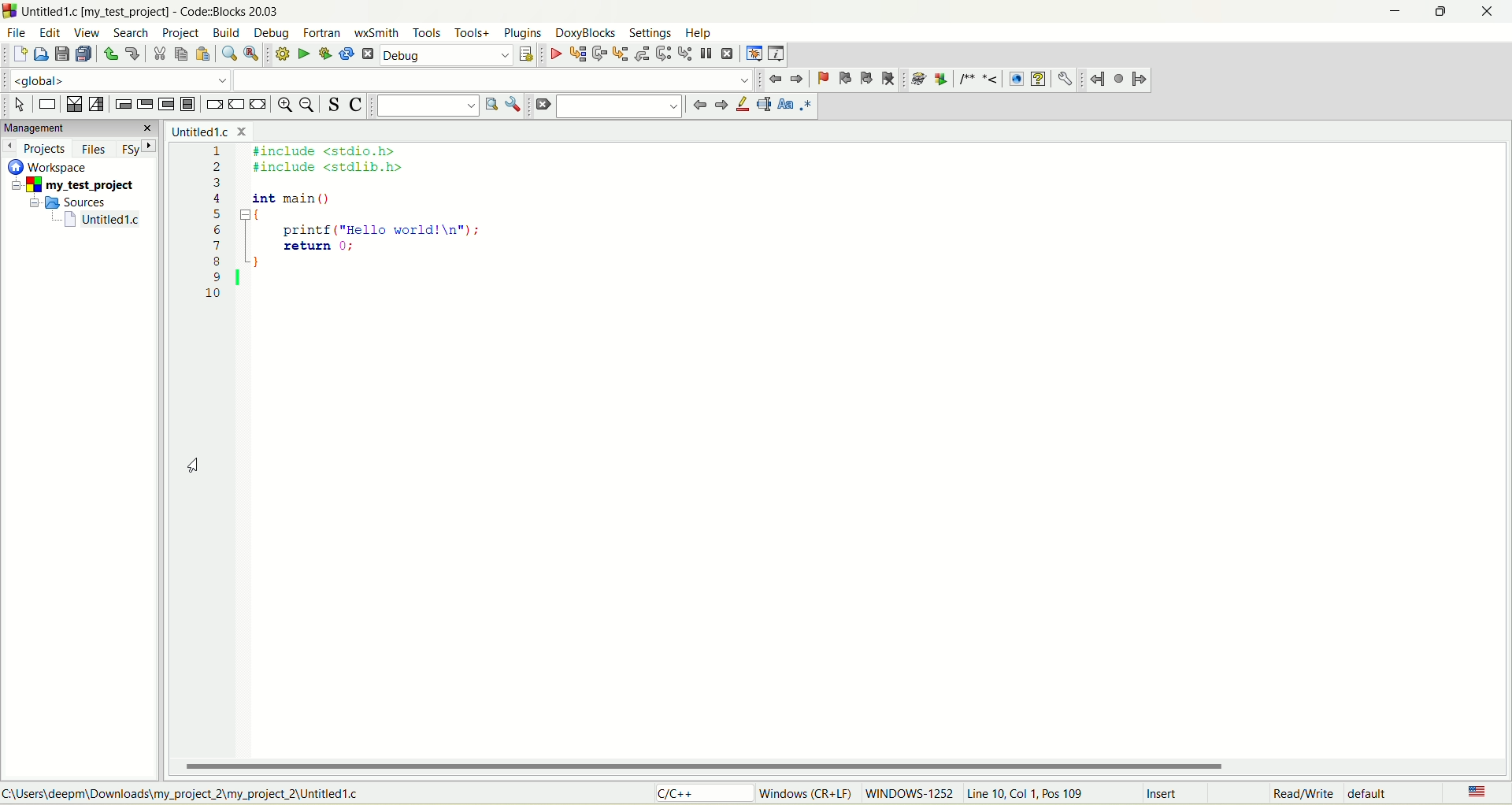  I want to click on tools+, so click(474, 32).